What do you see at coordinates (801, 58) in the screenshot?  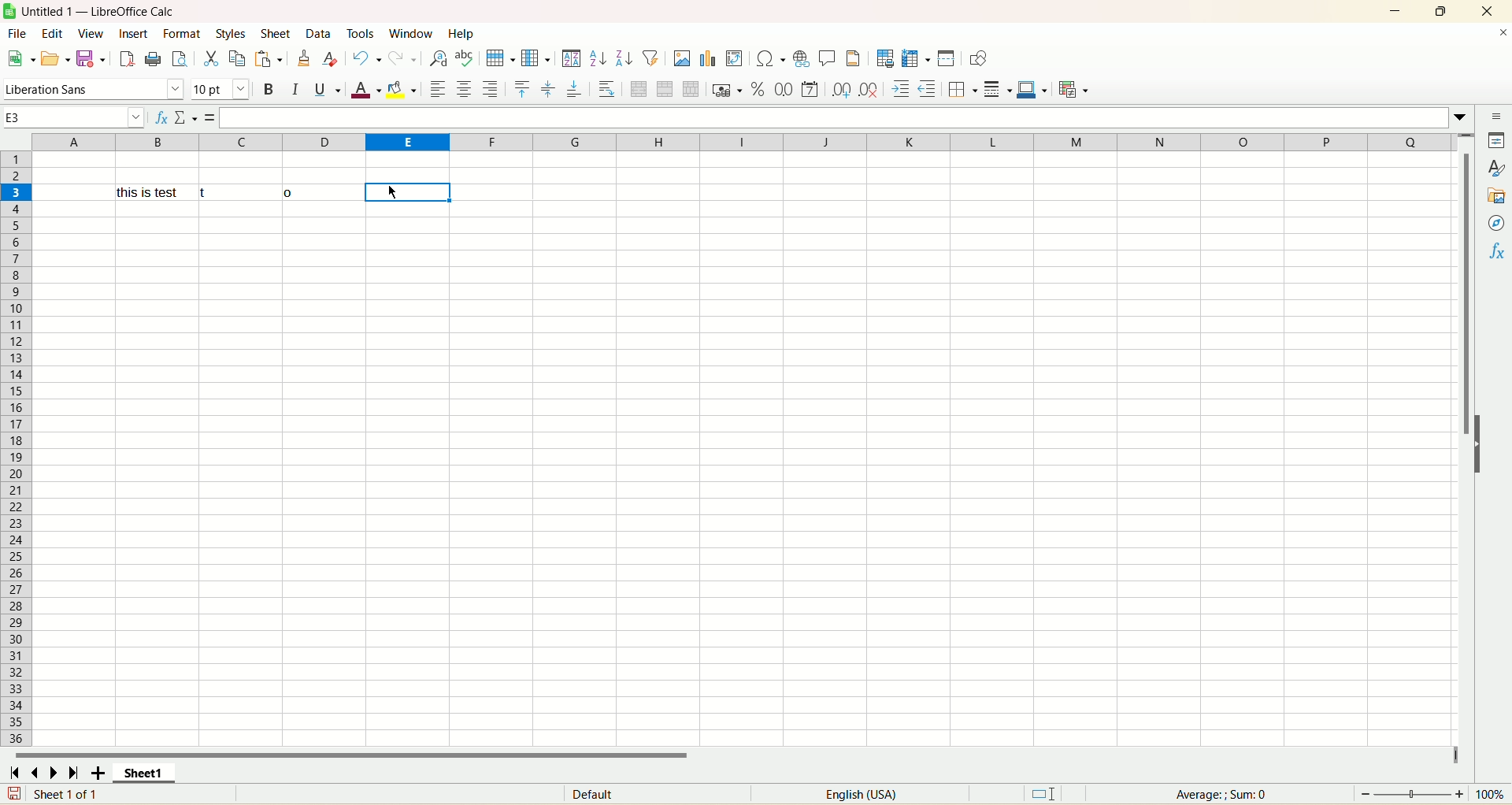 I see `insert hyperlink` at bounding box center [801, 58].